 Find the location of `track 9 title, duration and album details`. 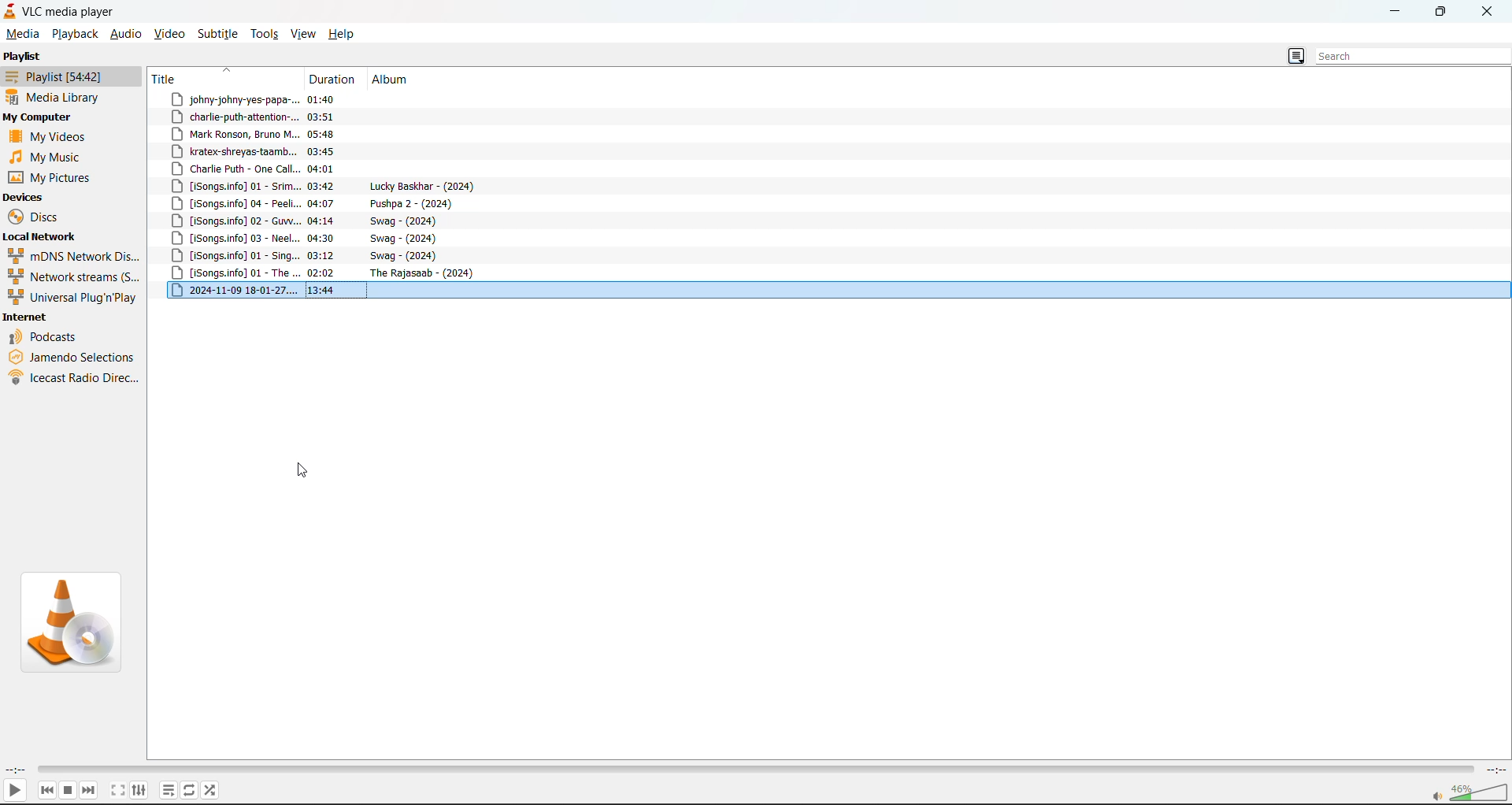

track 9 title, duration and album details is located at coordinates (313, 241).